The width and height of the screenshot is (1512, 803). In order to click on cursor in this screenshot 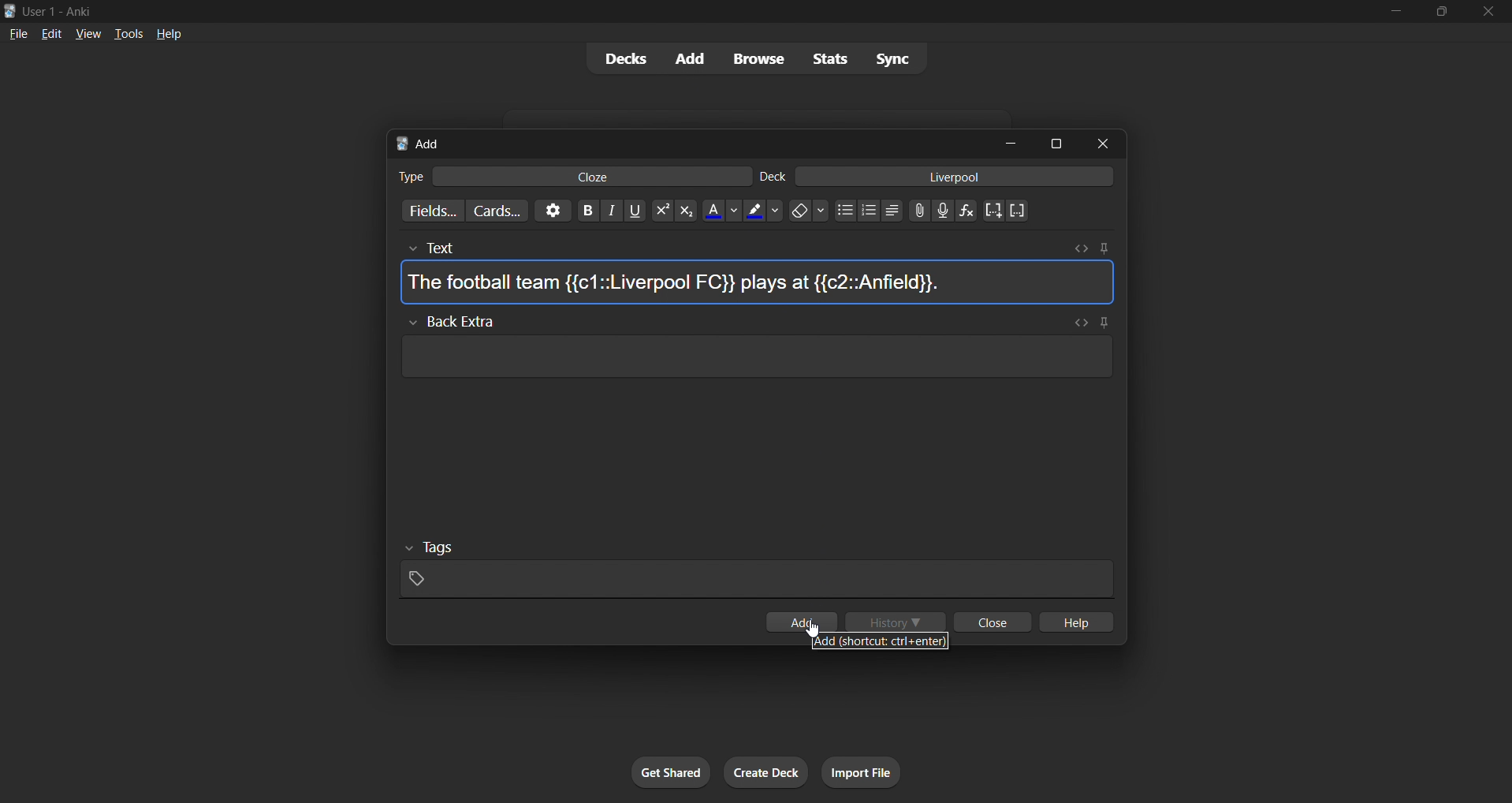, I will do `click(814, 629)`.